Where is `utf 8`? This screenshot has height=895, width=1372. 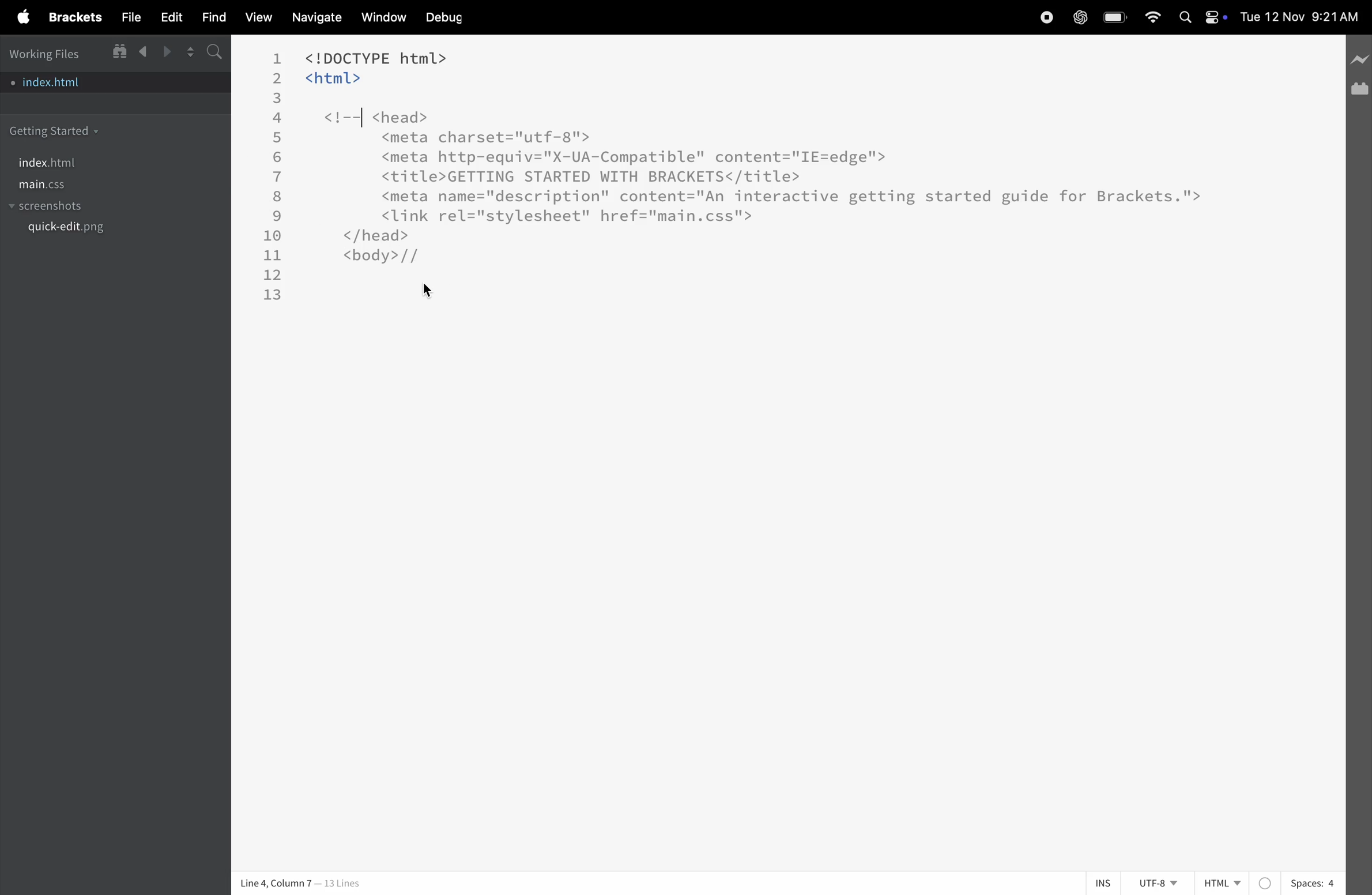 utf 8 is located at coordinates (1151, 883).